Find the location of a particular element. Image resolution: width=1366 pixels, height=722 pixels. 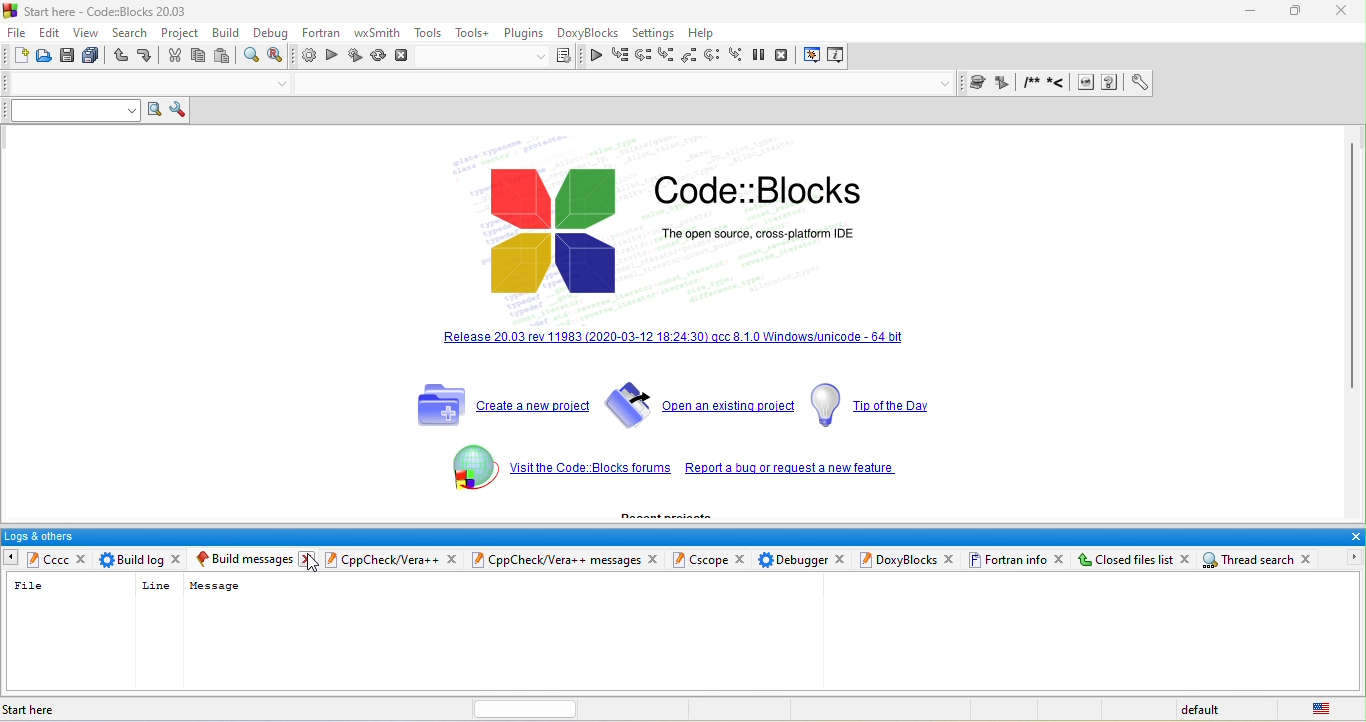

redo is located at coordinates (148, 56).